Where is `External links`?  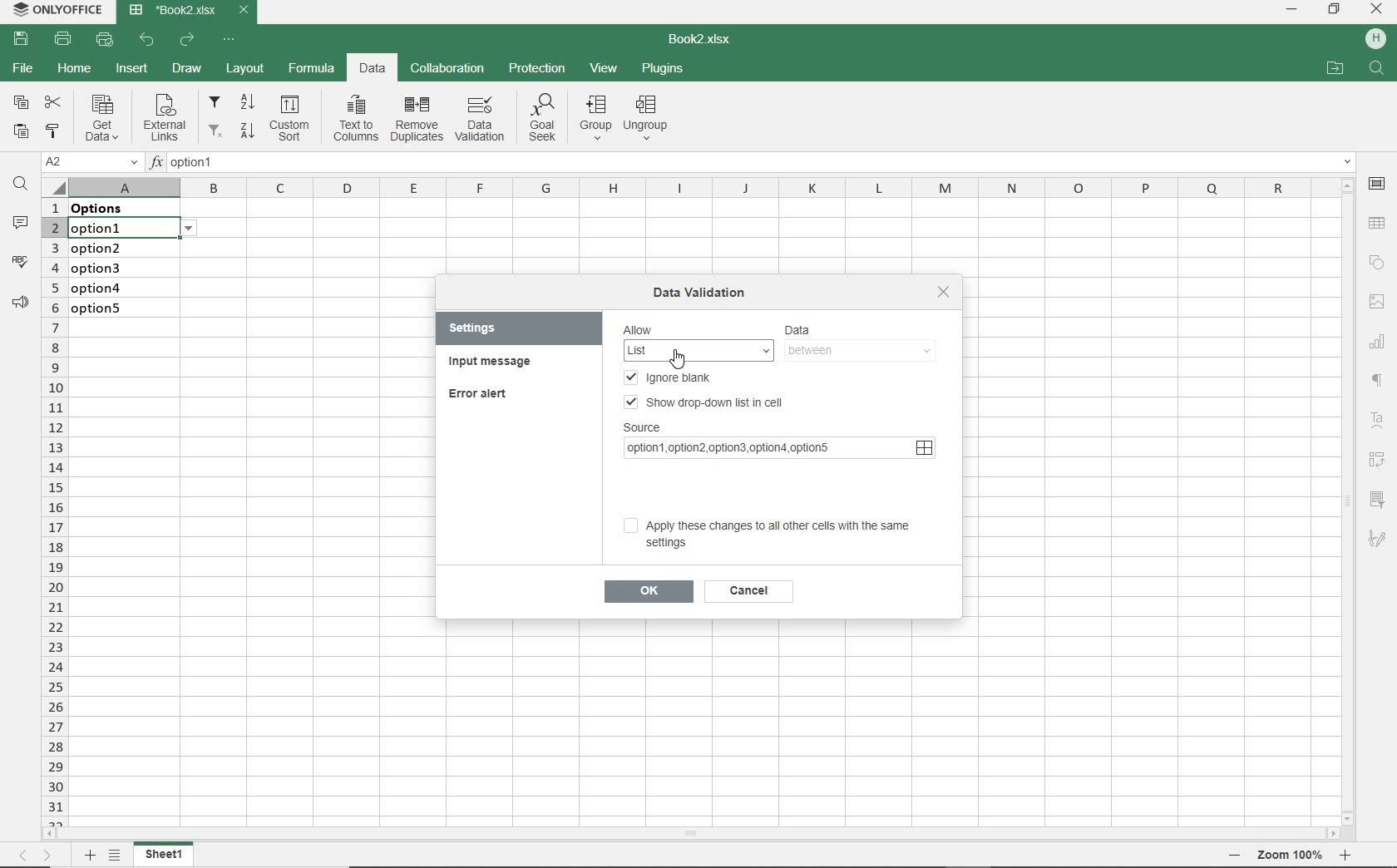
External links is located at coordinates (165, 119).